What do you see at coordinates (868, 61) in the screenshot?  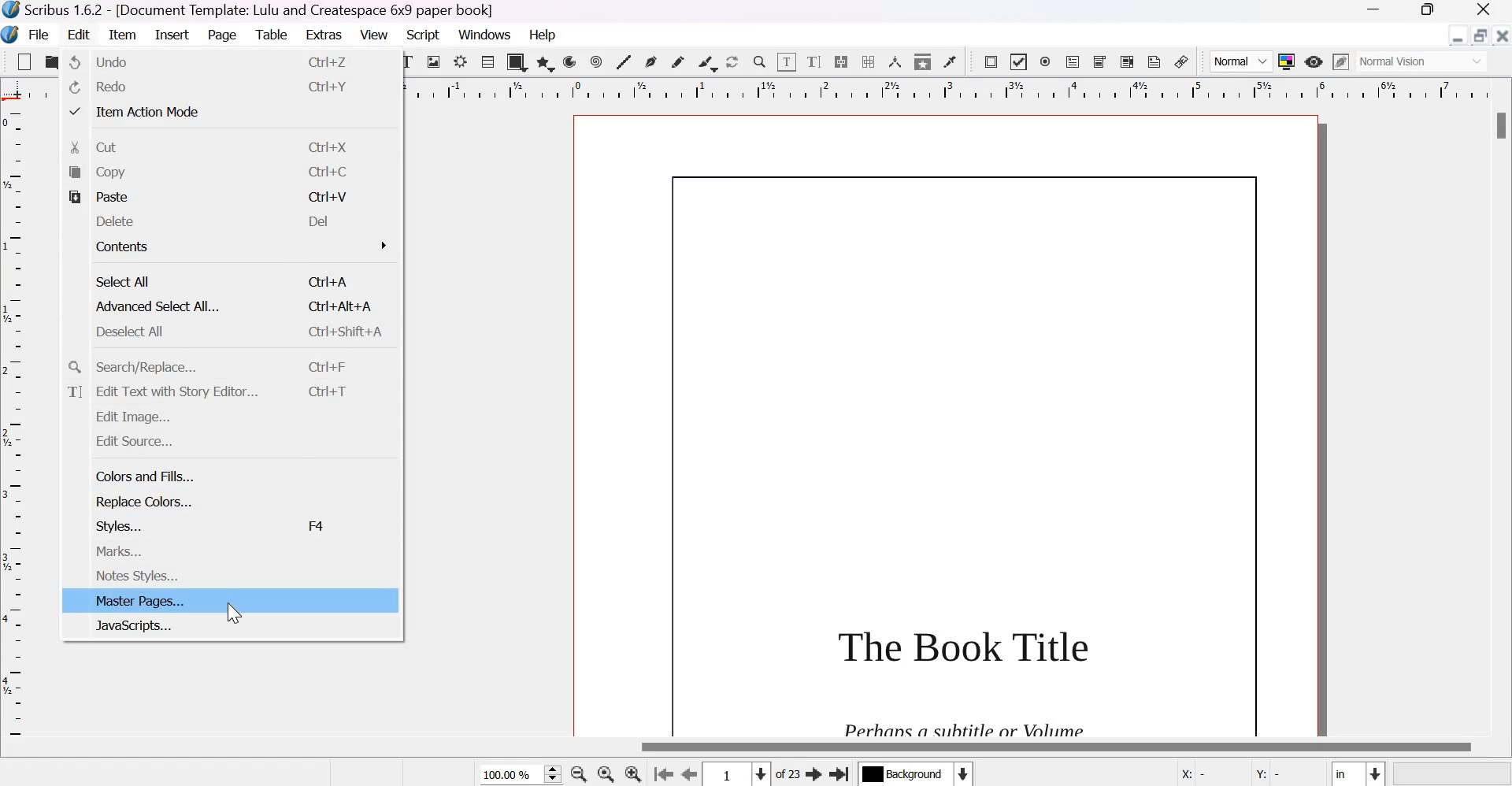 I see `Unlink text frames` at bounding box center [868, 61].